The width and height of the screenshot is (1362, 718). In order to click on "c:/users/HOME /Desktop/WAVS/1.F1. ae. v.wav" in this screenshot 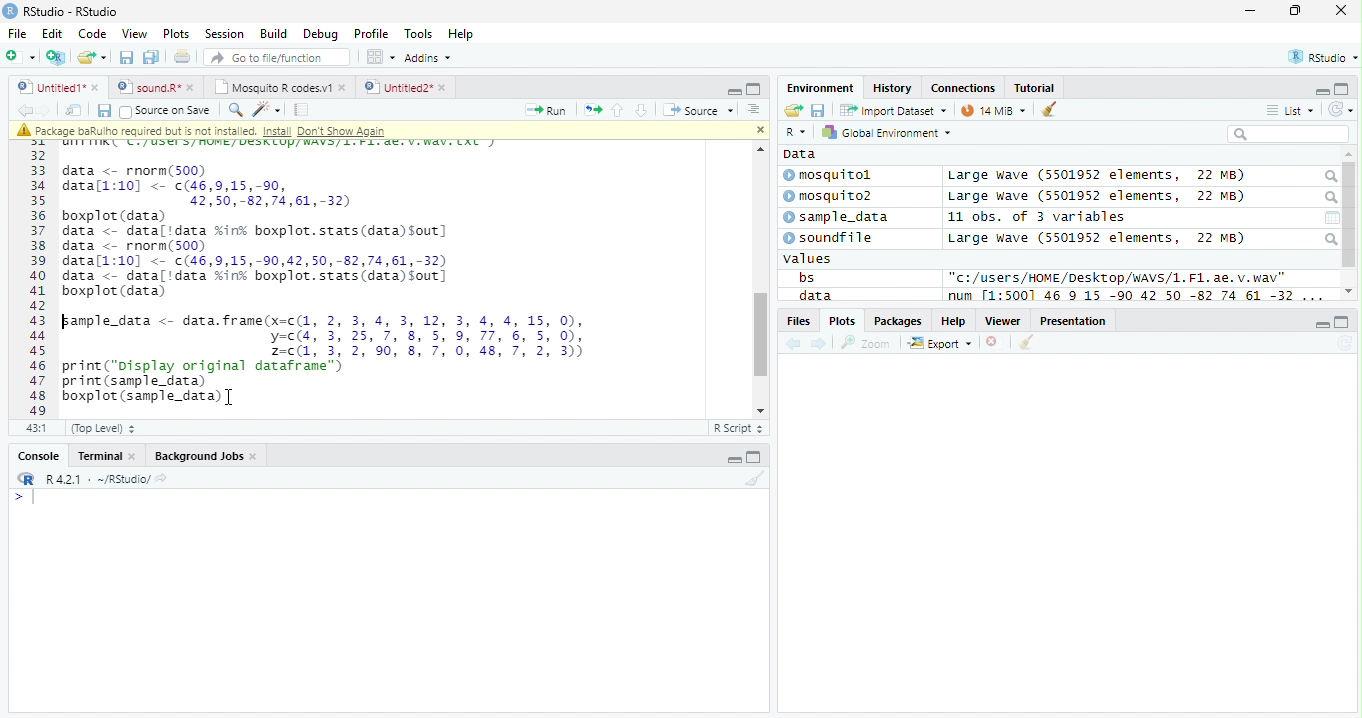, I will do `click(1118, 277)`.